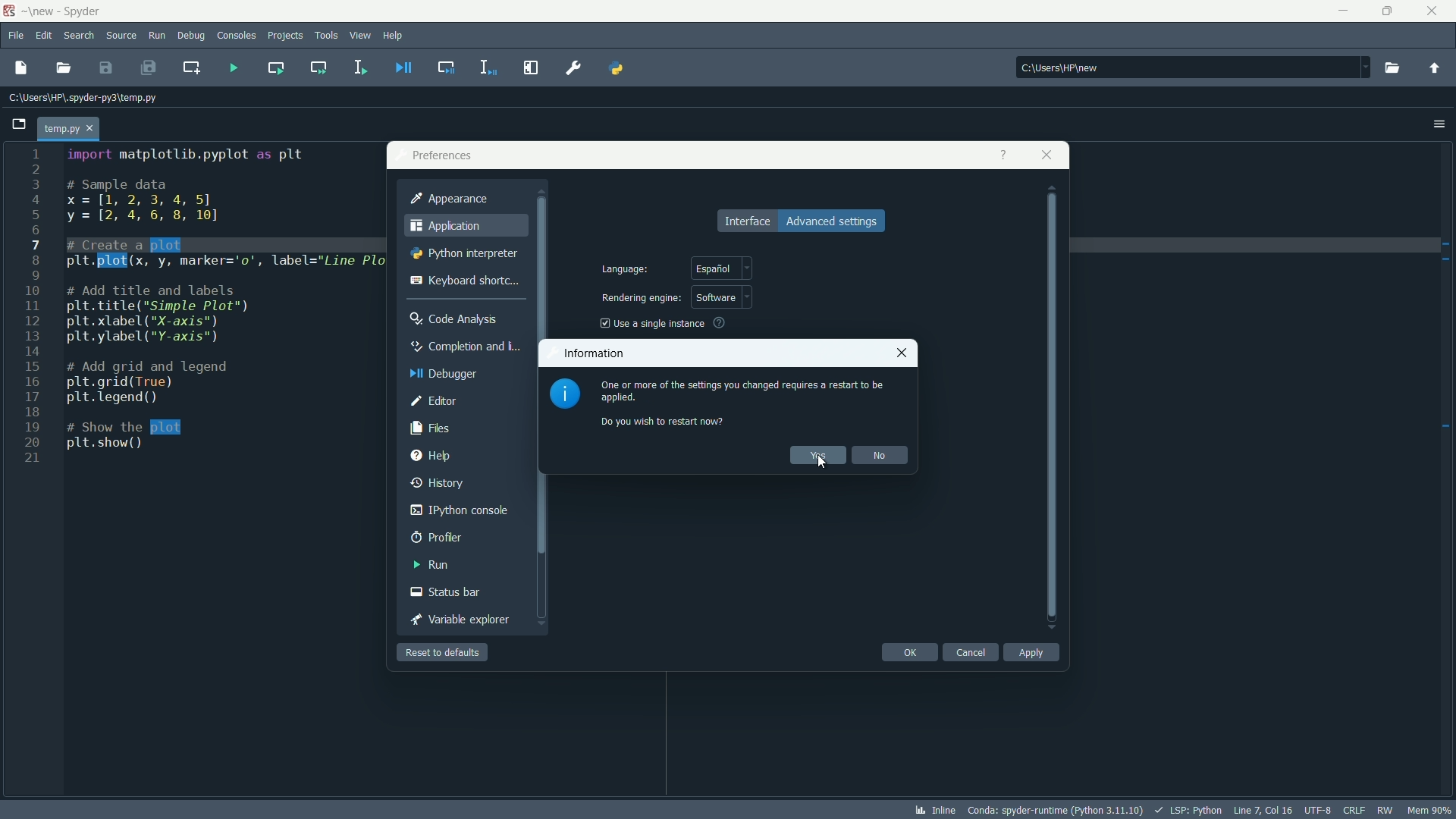  What do you see at coordinates (16, 37) in the screenshot?
I see `file` at bounding box center [16, 37].